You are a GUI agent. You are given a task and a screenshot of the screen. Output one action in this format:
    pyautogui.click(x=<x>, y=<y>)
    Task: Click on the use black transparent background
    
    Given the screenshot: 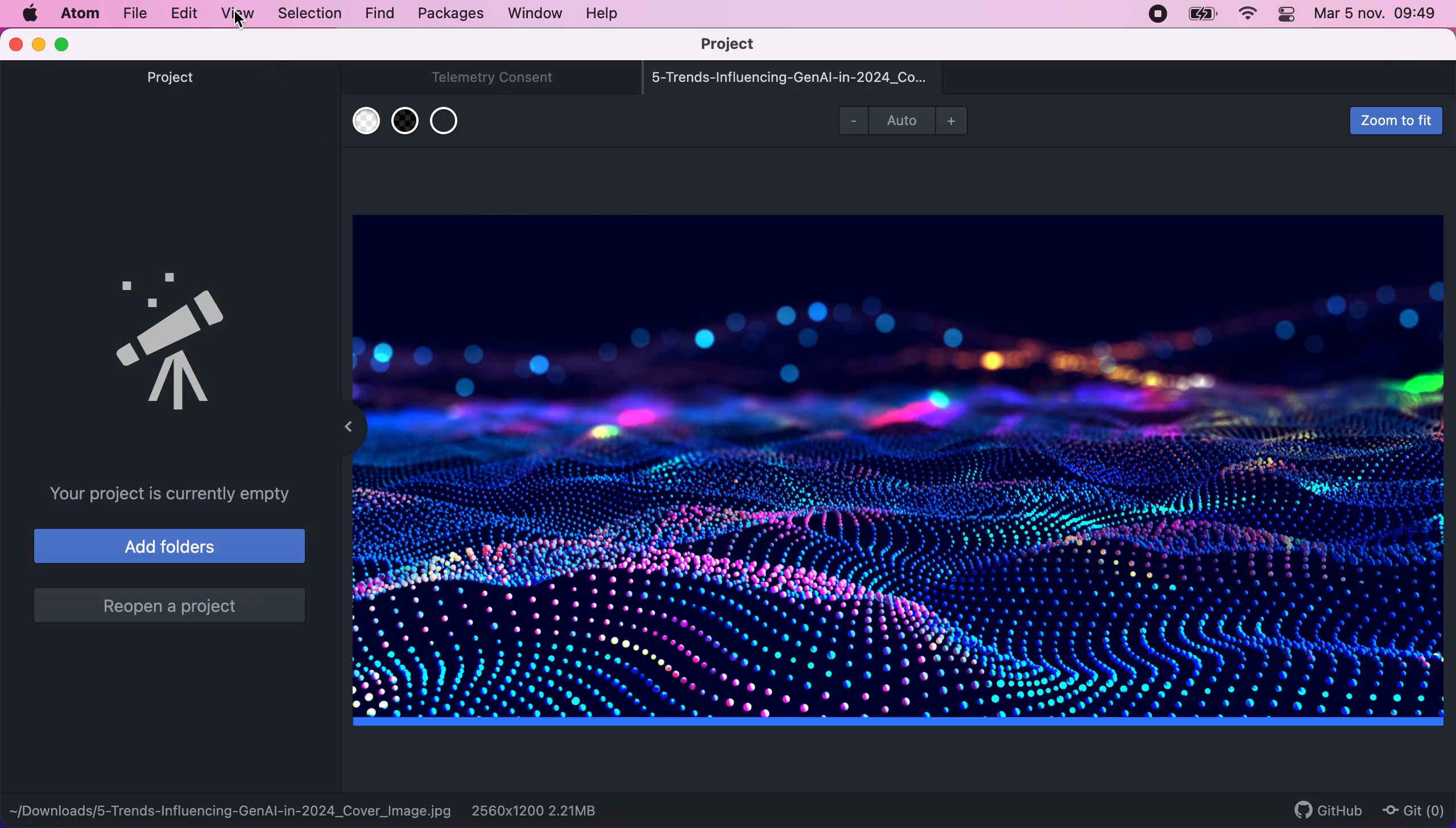 What is the action you would take?
    pyautogui.click(x=403, y=124)
    